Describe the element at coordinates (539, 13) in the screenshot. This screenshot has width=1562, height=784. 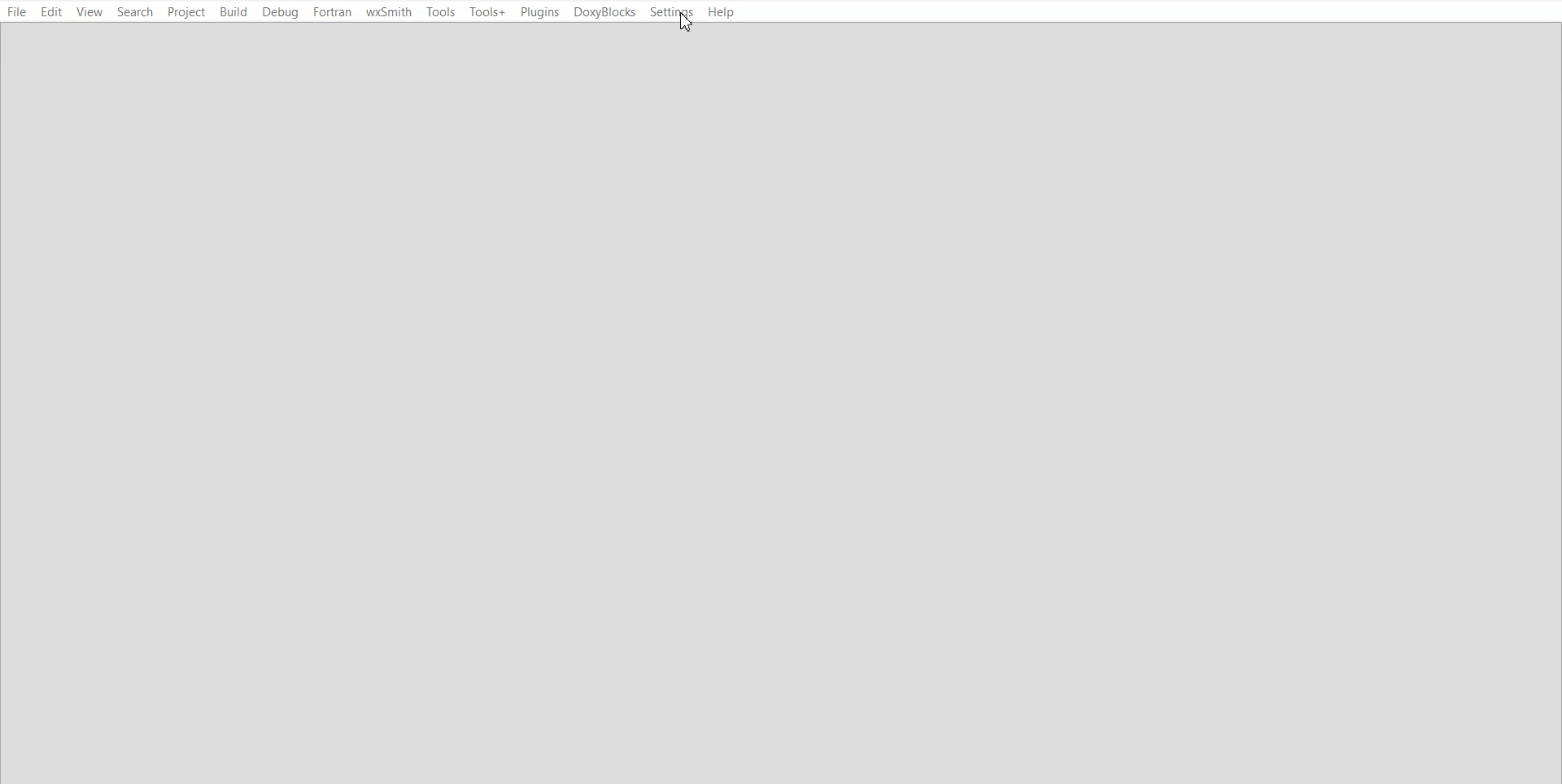
I see `Plugins` at that location.